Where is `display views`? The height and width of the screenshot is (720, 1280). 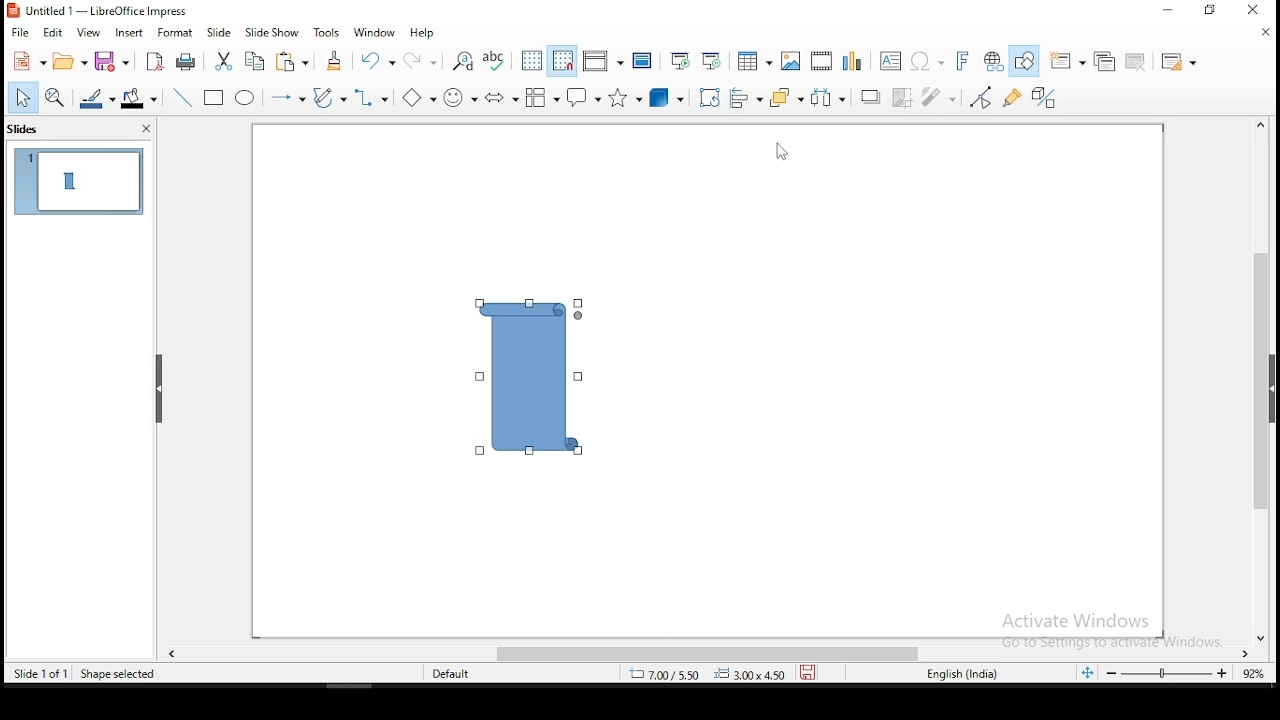
display views is located at coordinates (603, 61).